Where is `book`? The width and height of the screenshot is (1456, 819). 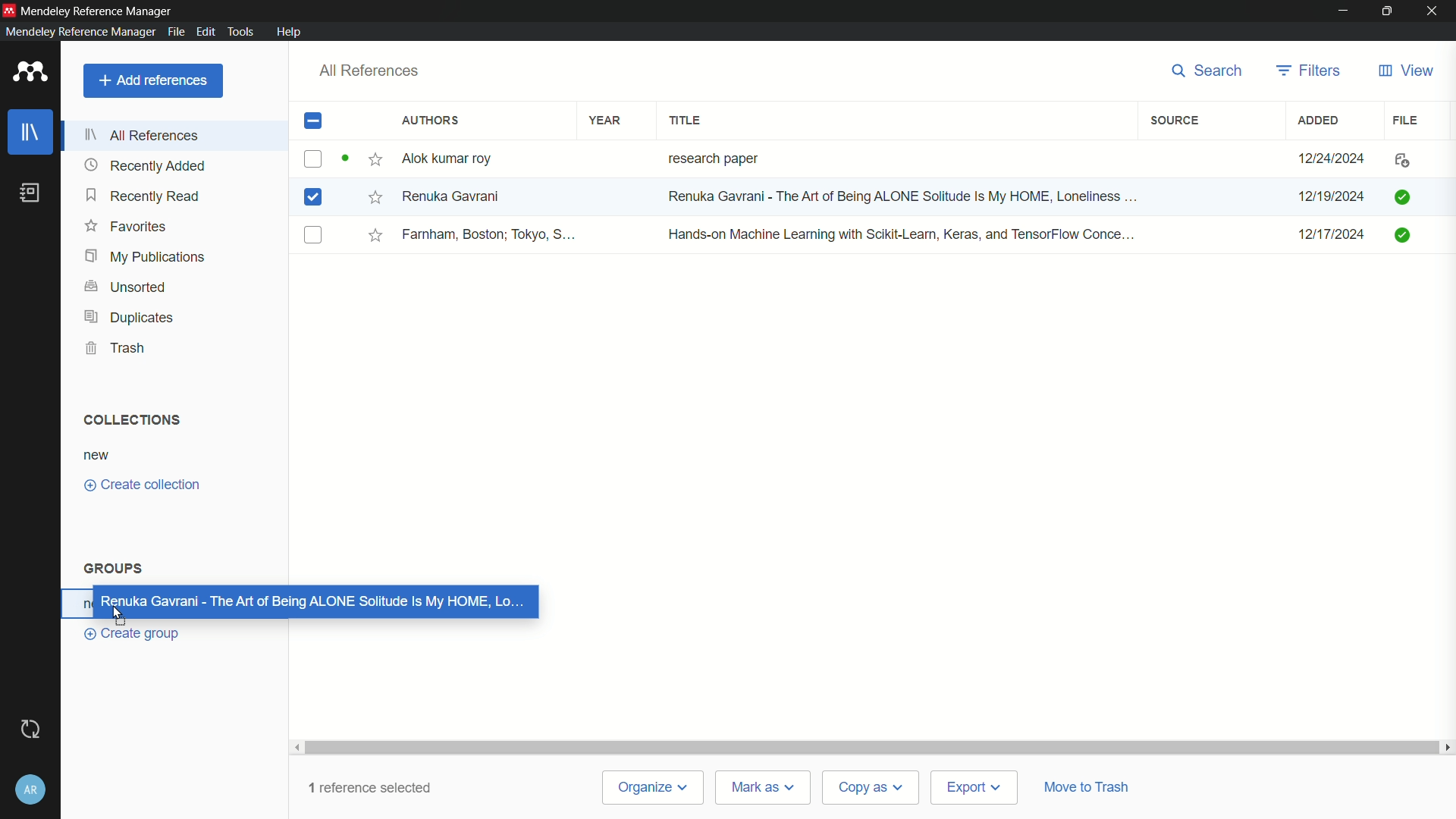 book is located at coordinates (30, 193).